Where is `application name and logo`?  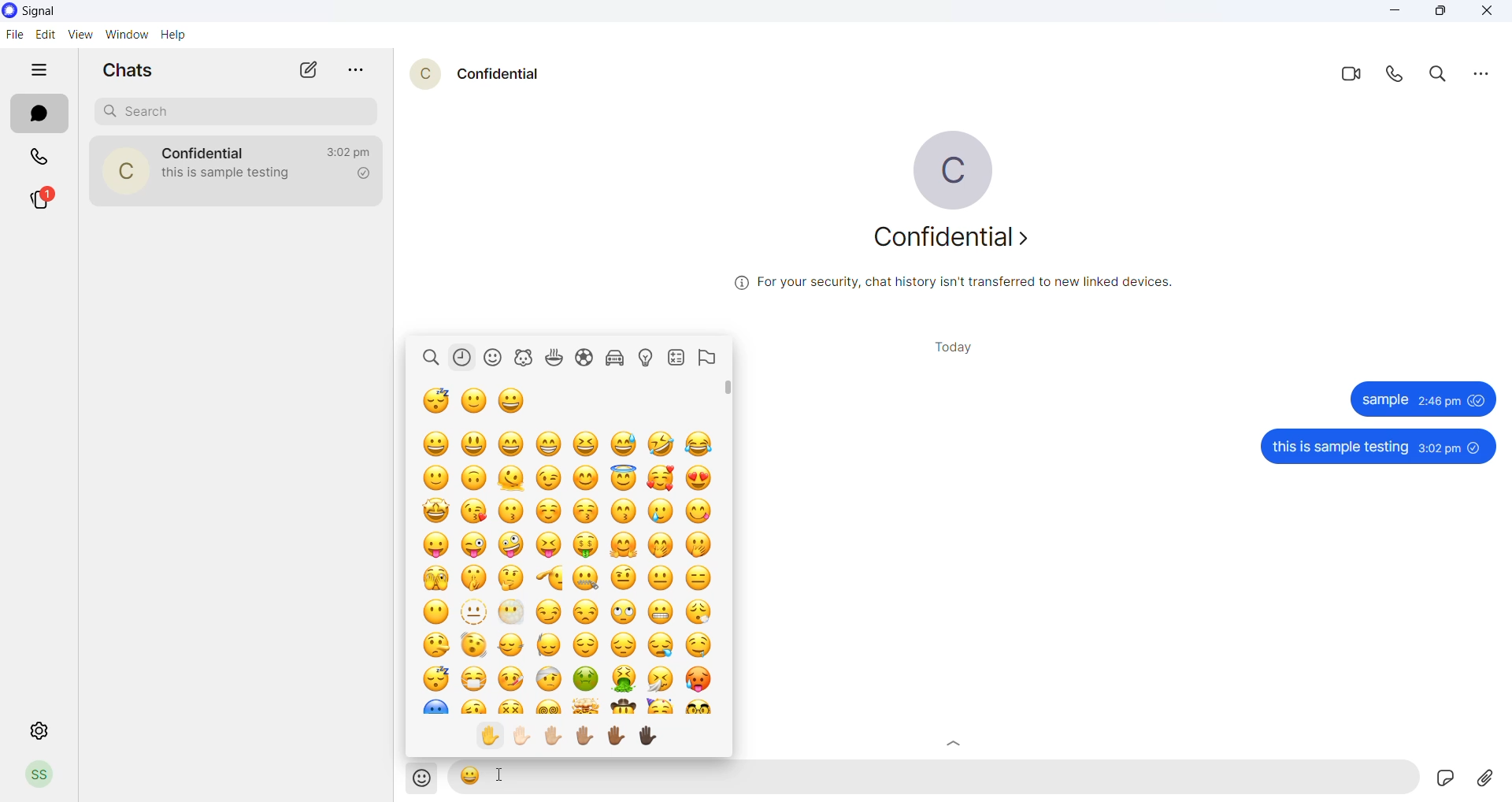
application name and logo is located at coordinates (41, 13).